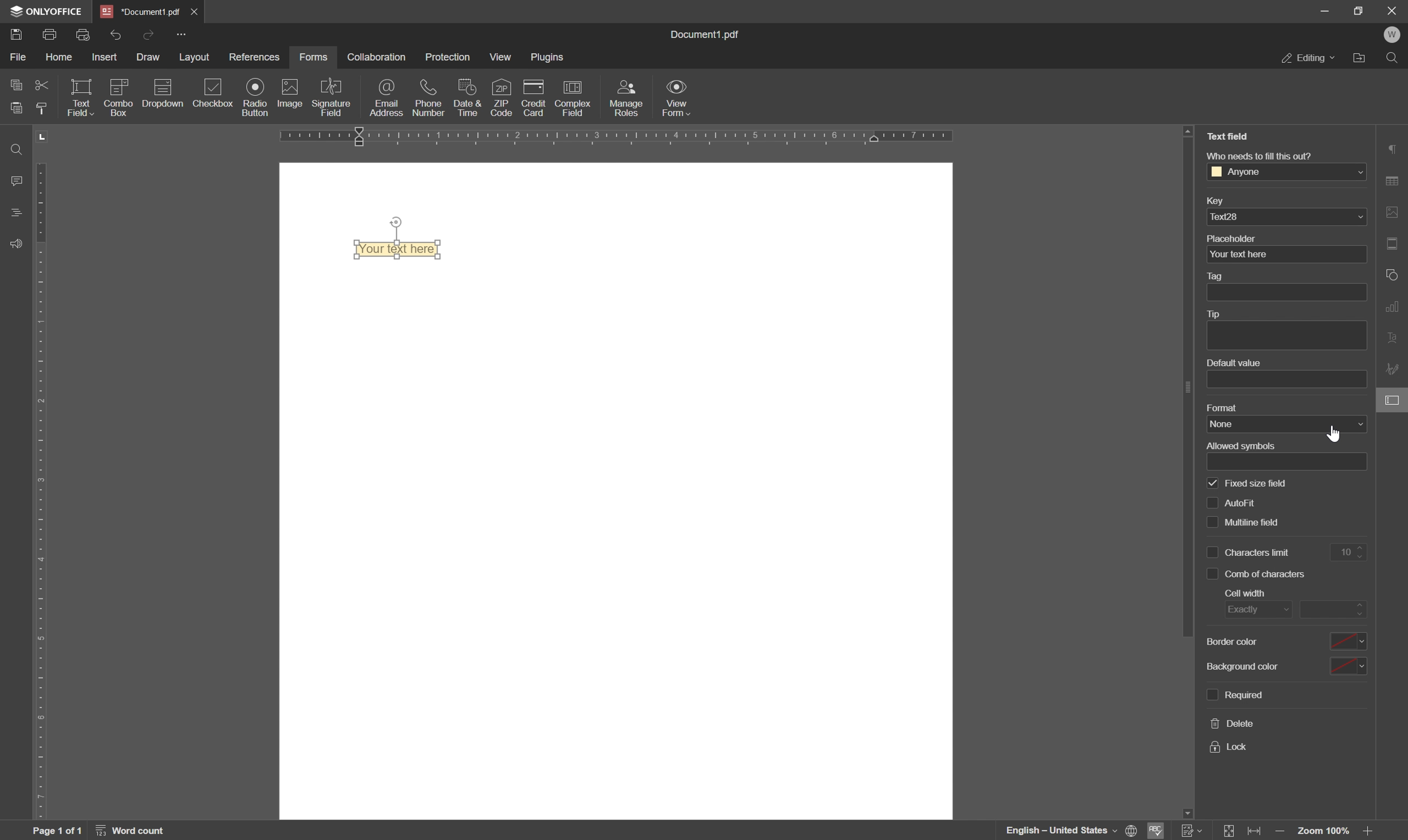  I want to click on forms, so click(318, 55).